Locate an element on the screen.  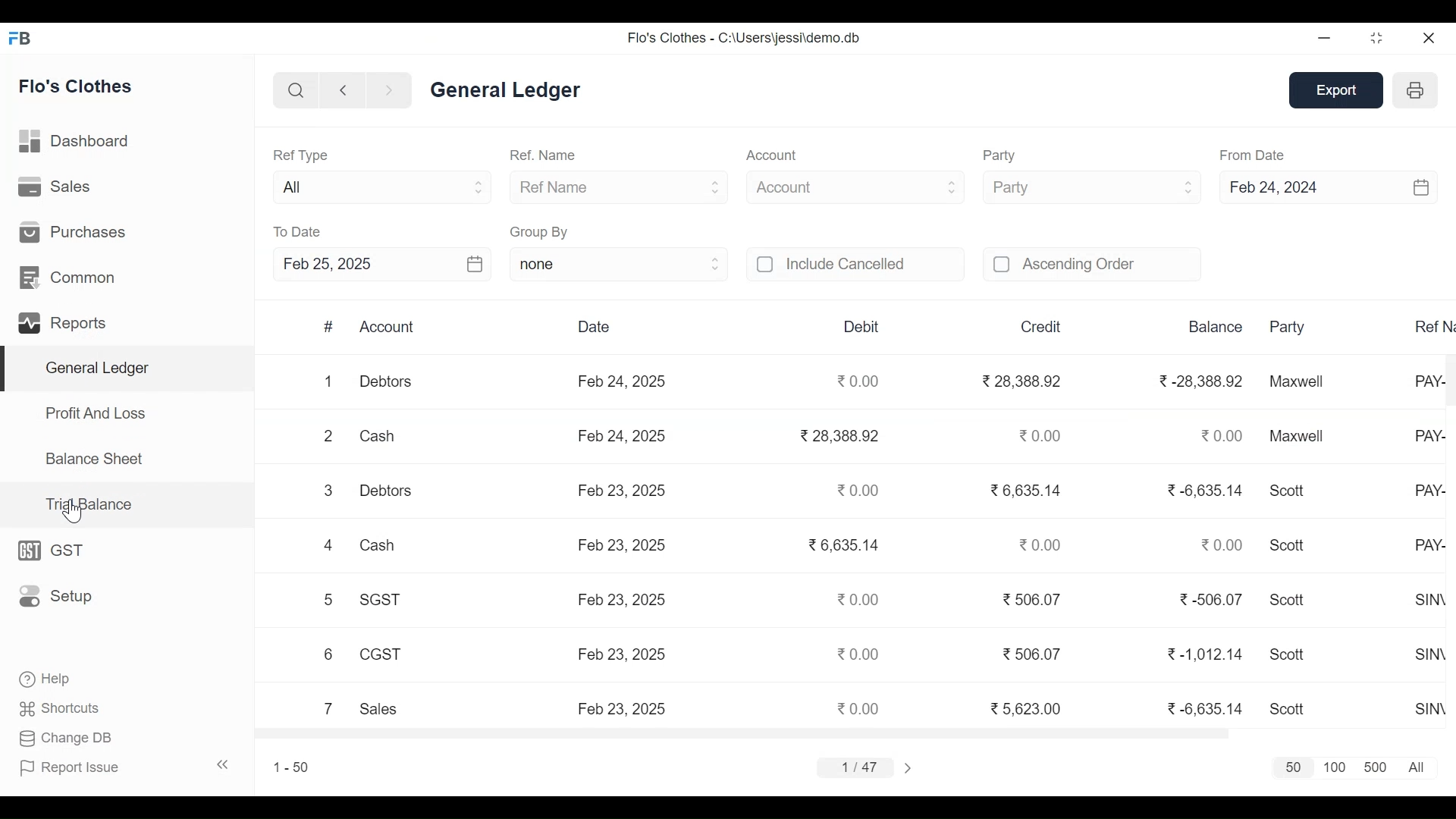
Feb 23, 2025 is located at coordinates (624, 546).